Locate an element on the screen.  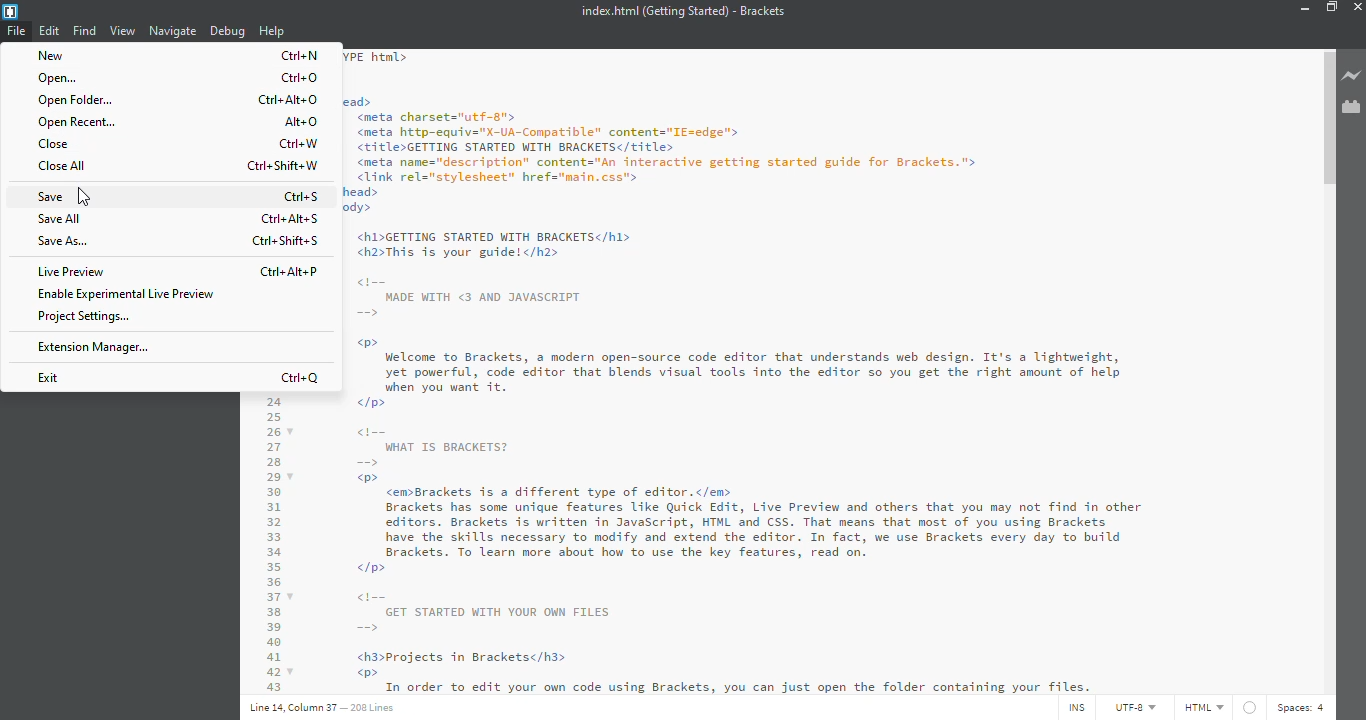
project settings is located at coordinates (90, 316).